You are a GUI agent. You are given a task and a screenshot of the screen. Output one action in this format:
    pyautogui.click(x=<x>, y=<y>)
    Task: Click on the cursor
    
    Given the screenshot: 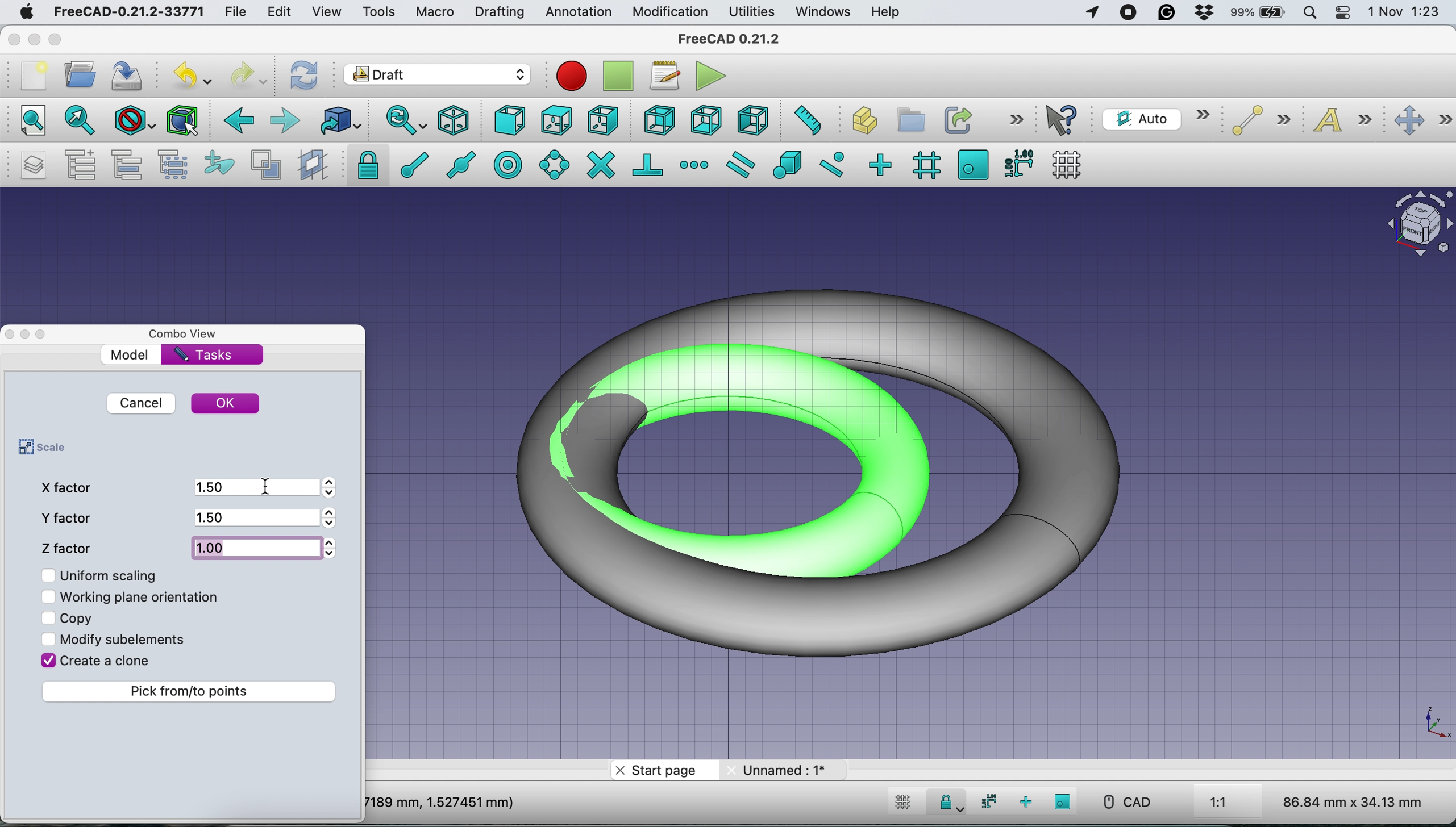 What is the action you would take?
    pyautogui.click(x=269, y=486)
    